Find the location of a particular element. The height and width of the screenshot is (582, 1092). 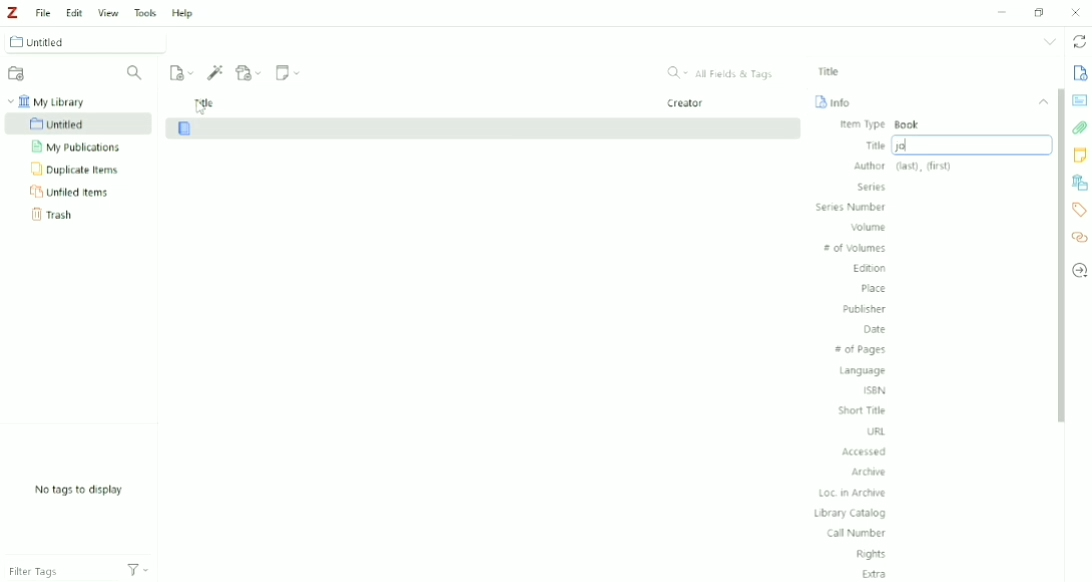

View is located at coordinates (107, 10).